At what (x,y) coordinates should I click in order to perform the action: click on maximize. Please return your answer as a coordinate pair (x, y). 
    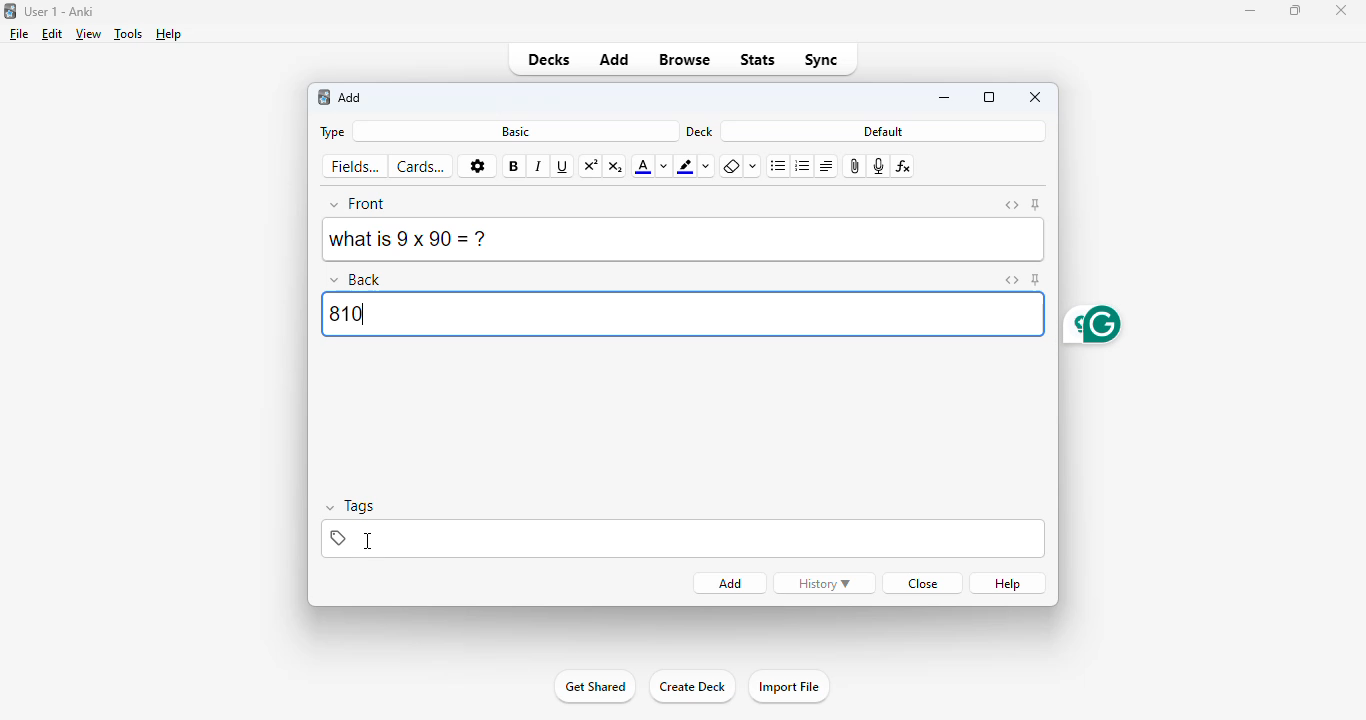
    Looking at the image, I should click on (1296, 10).